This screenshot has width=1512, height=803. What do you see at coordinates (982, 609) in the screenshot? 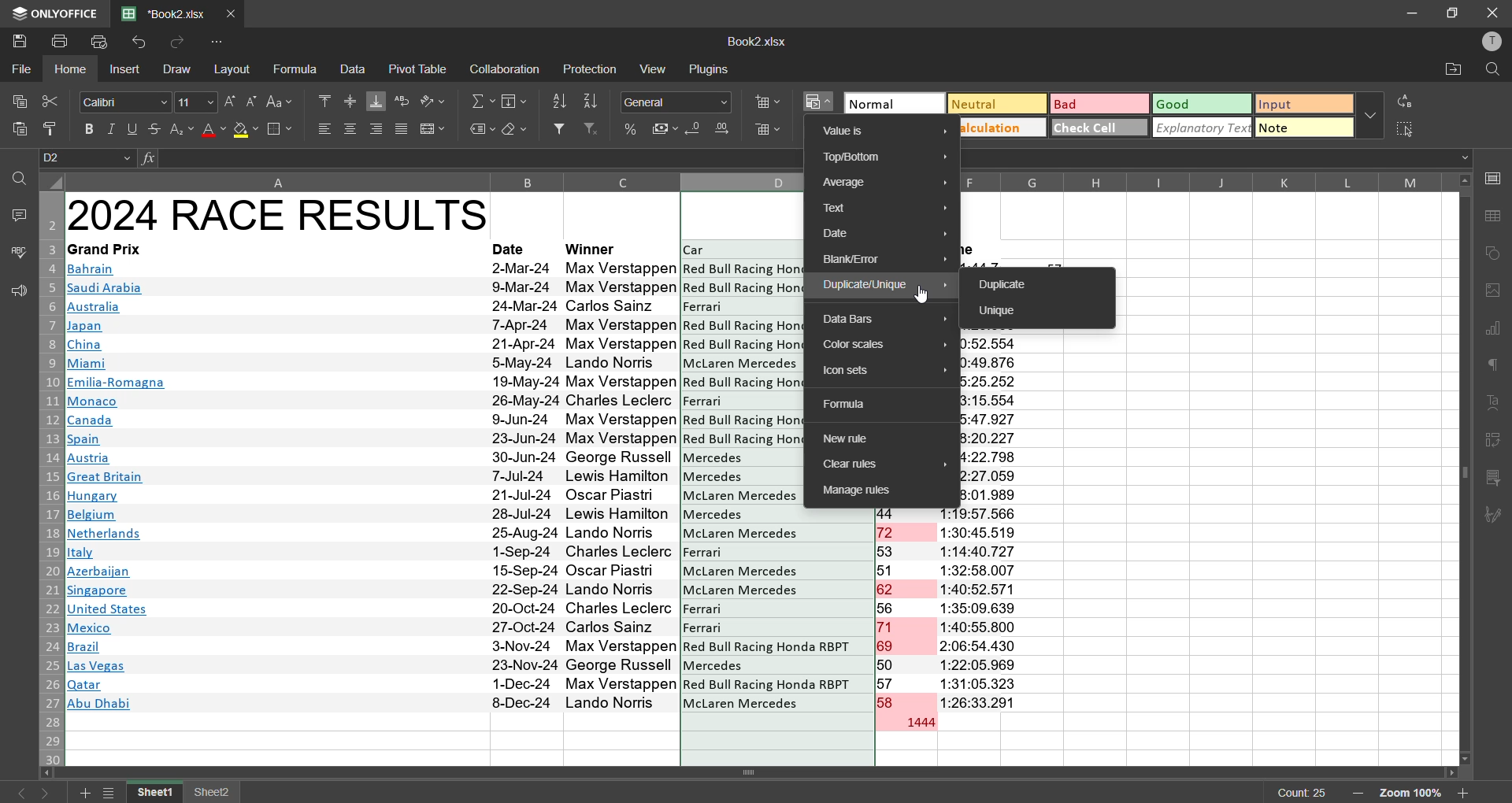
I see `time` at bounding box center [982, 609].